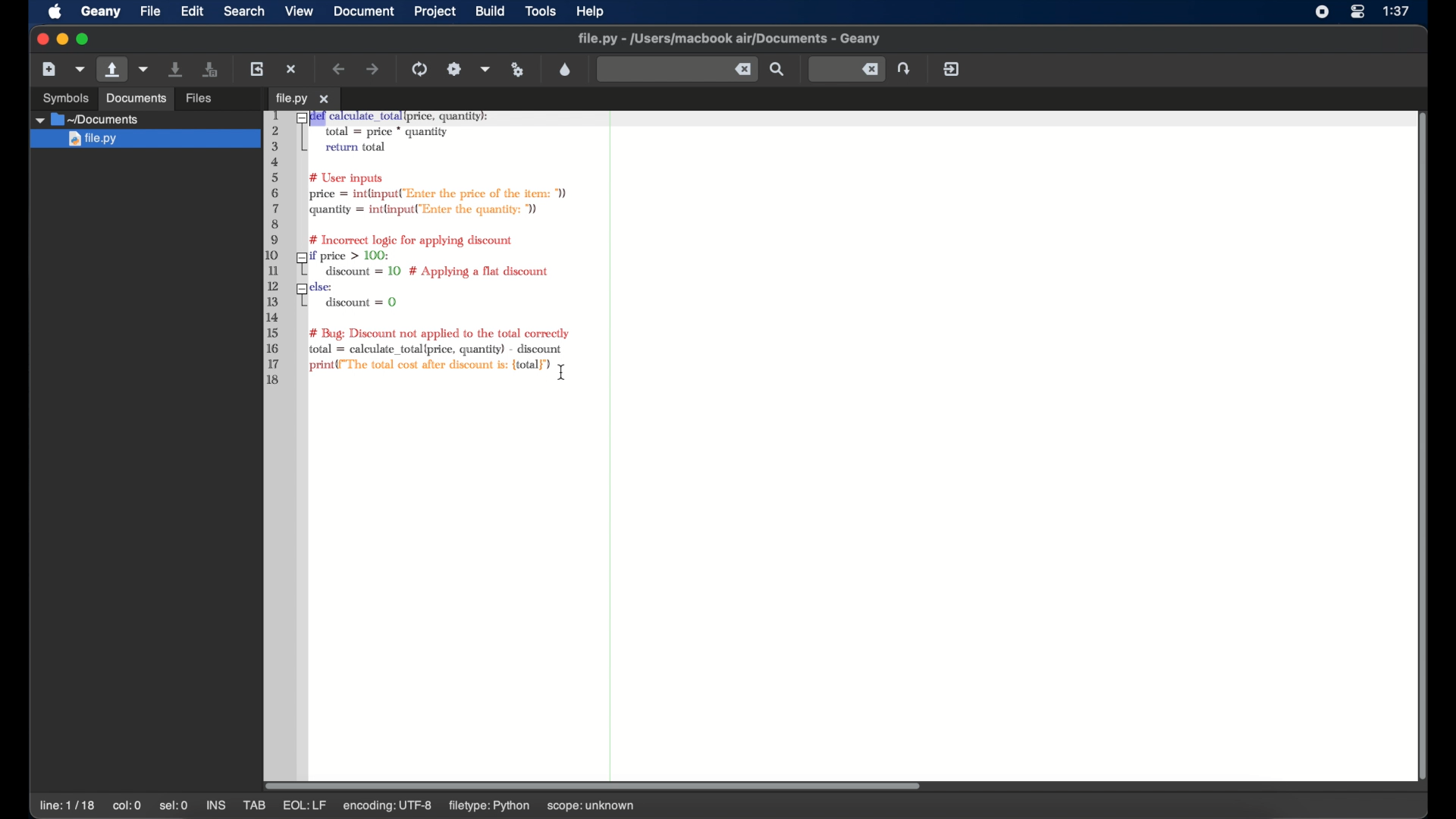  What do you see at coordinates (420, 249) in the screenshot?
I see `python syntax` at bounding box center [420, 249].